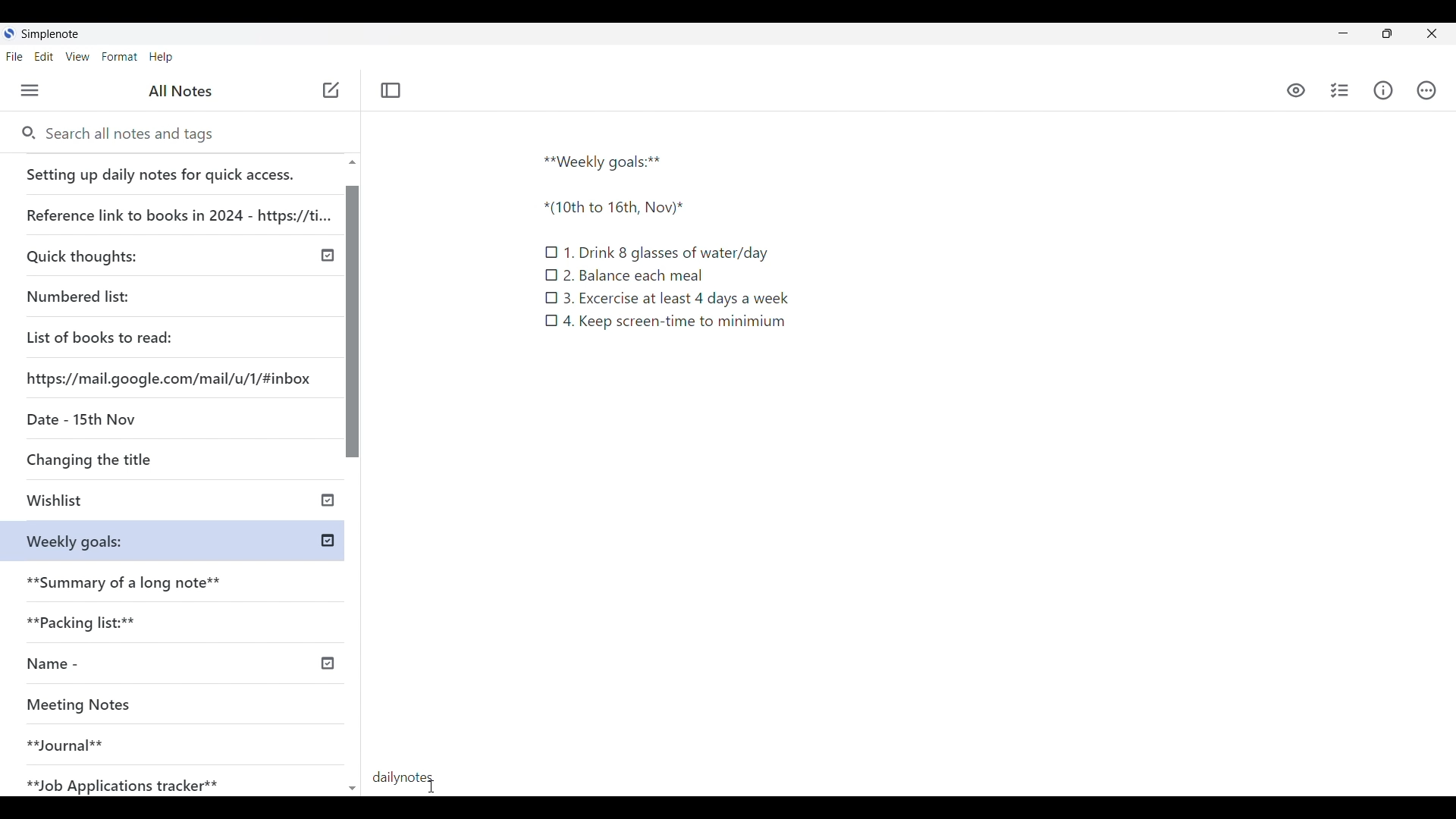  What do you see at coordinates (328, 541) in the screenshot?
I see `published` at bounding box center [328, 541].